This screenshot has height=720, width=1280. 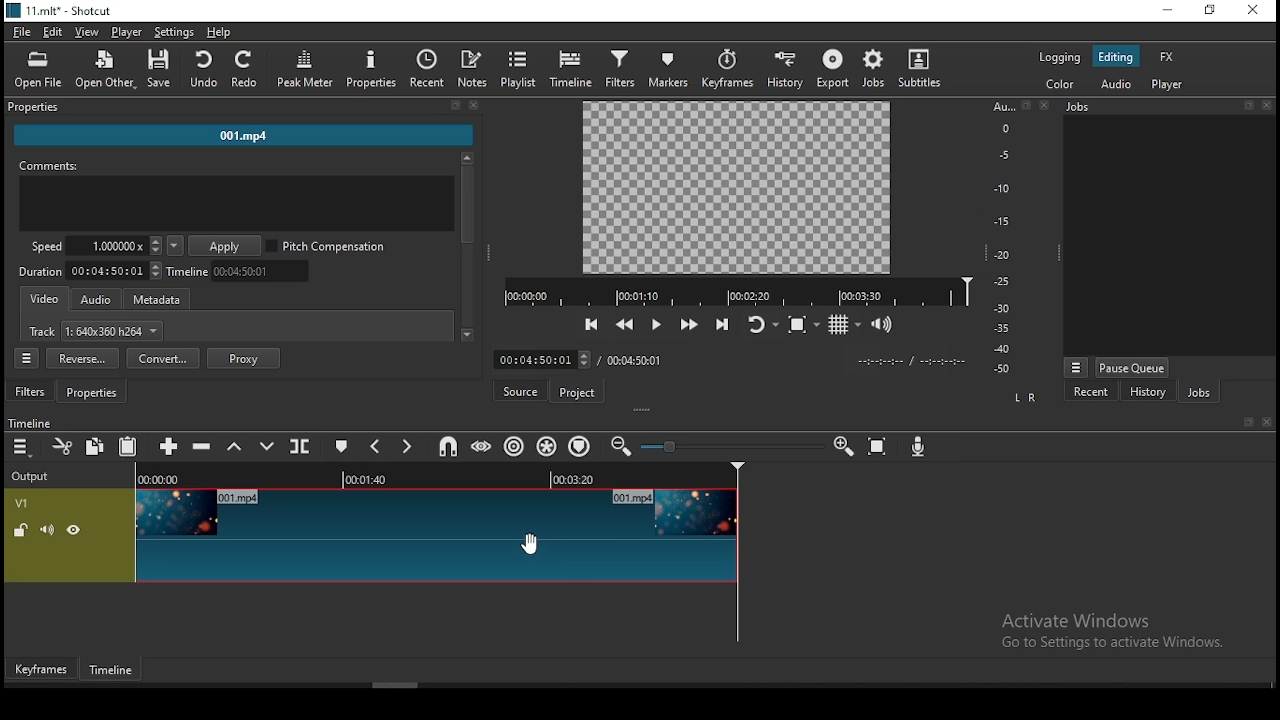 What do you see at coordinates (245, 358) in the screenshot?
I see `proxy` at bounding box center [245, 358].